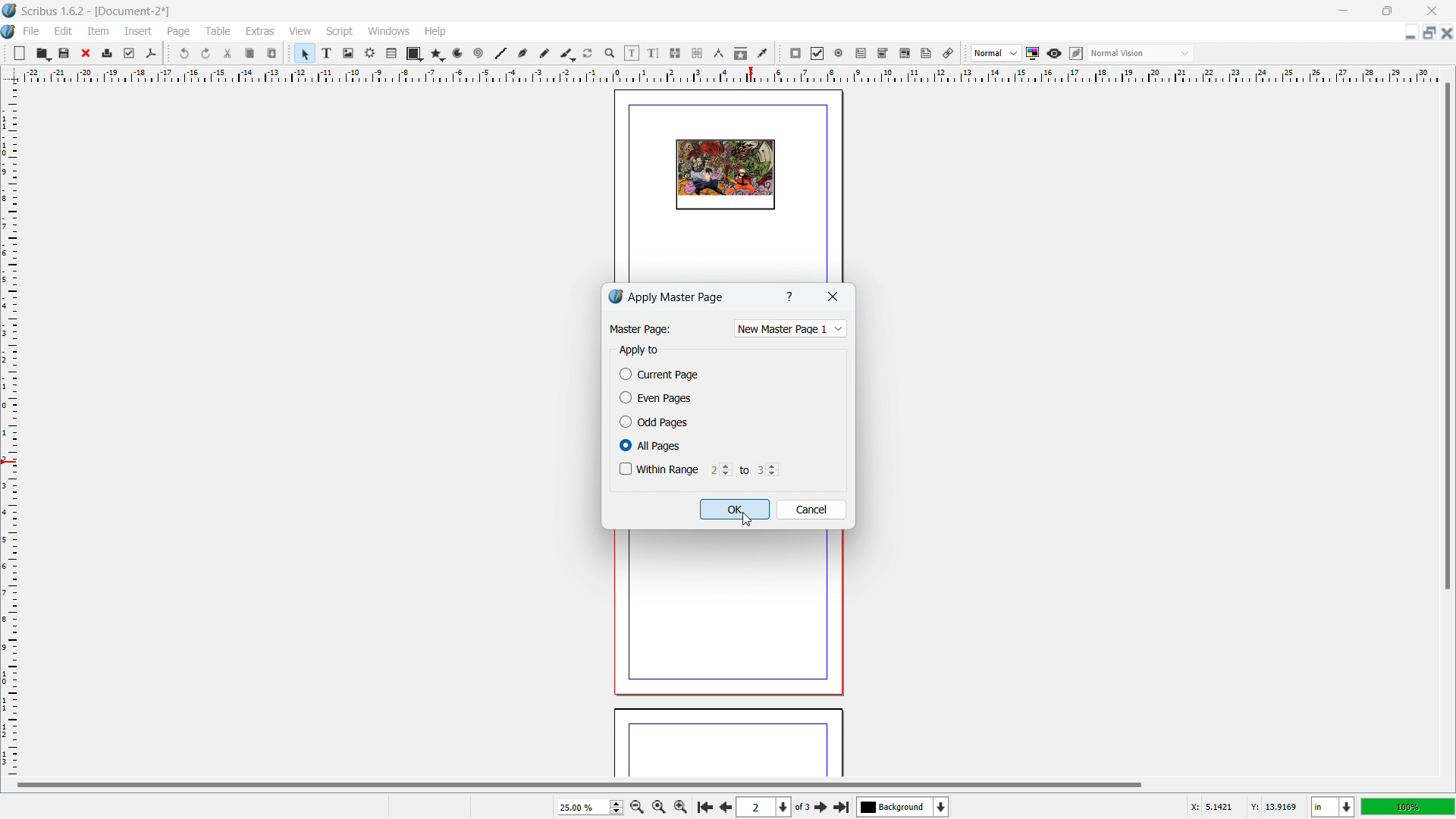  I want to click on minimize window, so click(1341, 11).